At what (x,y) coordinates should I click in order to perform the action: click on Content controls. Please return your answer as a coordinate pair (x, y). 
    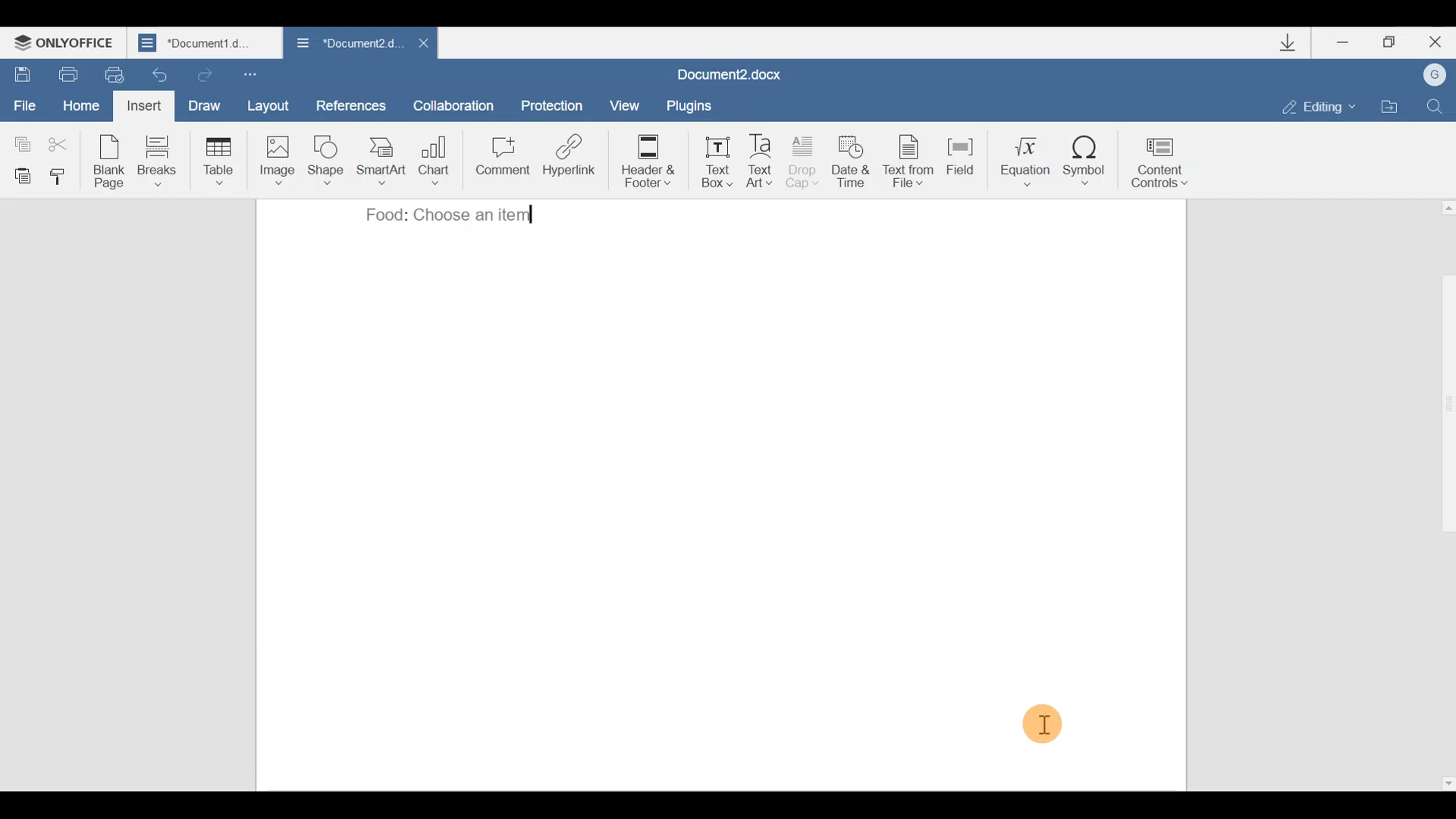
    Looking at the image, I should click on (1168, 158).